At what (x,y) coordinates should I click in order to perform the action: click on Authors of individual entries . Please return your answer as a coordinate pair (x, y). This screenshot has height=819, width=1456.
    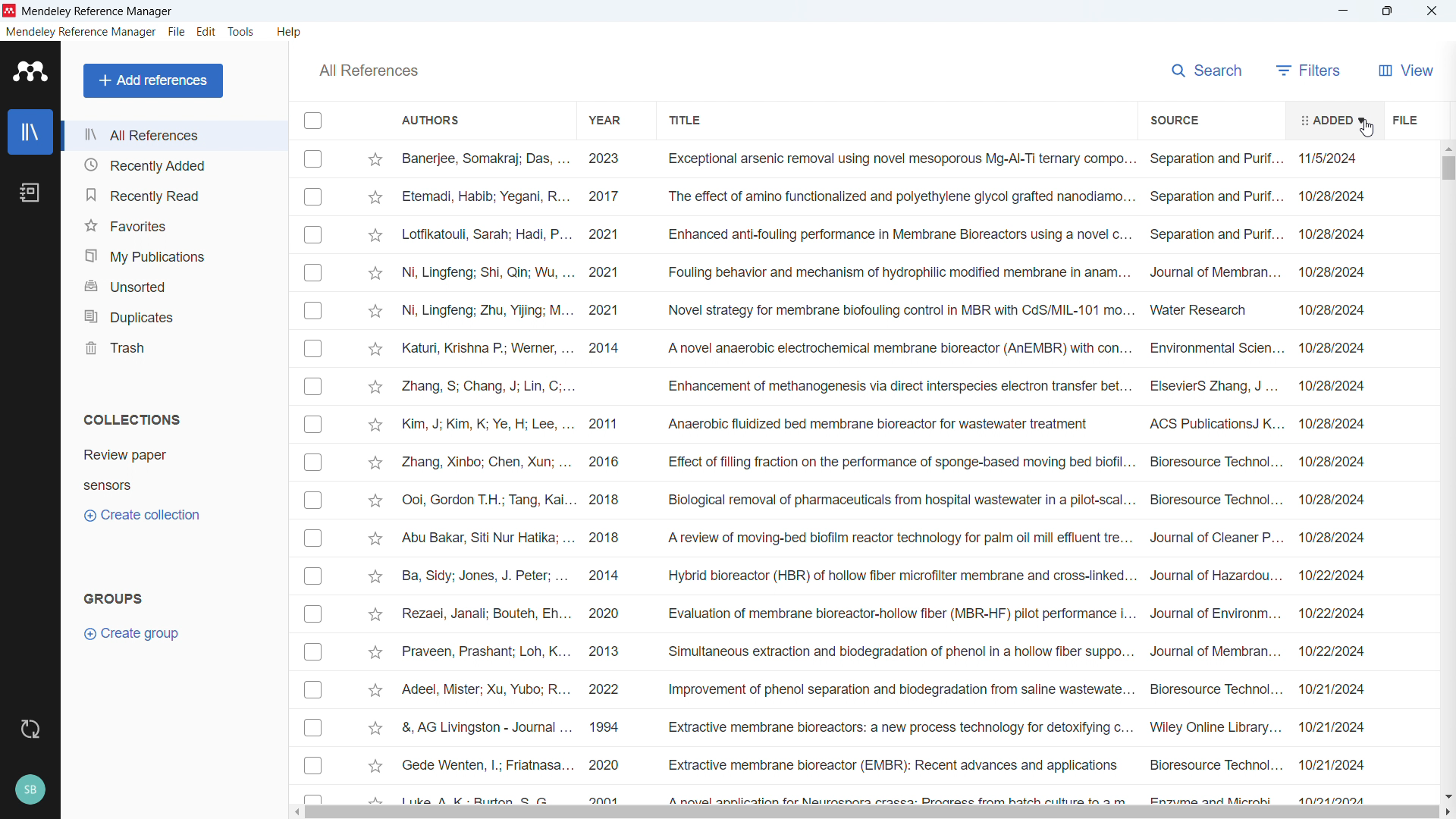
    Looking at the image, I should click on (487, 475).